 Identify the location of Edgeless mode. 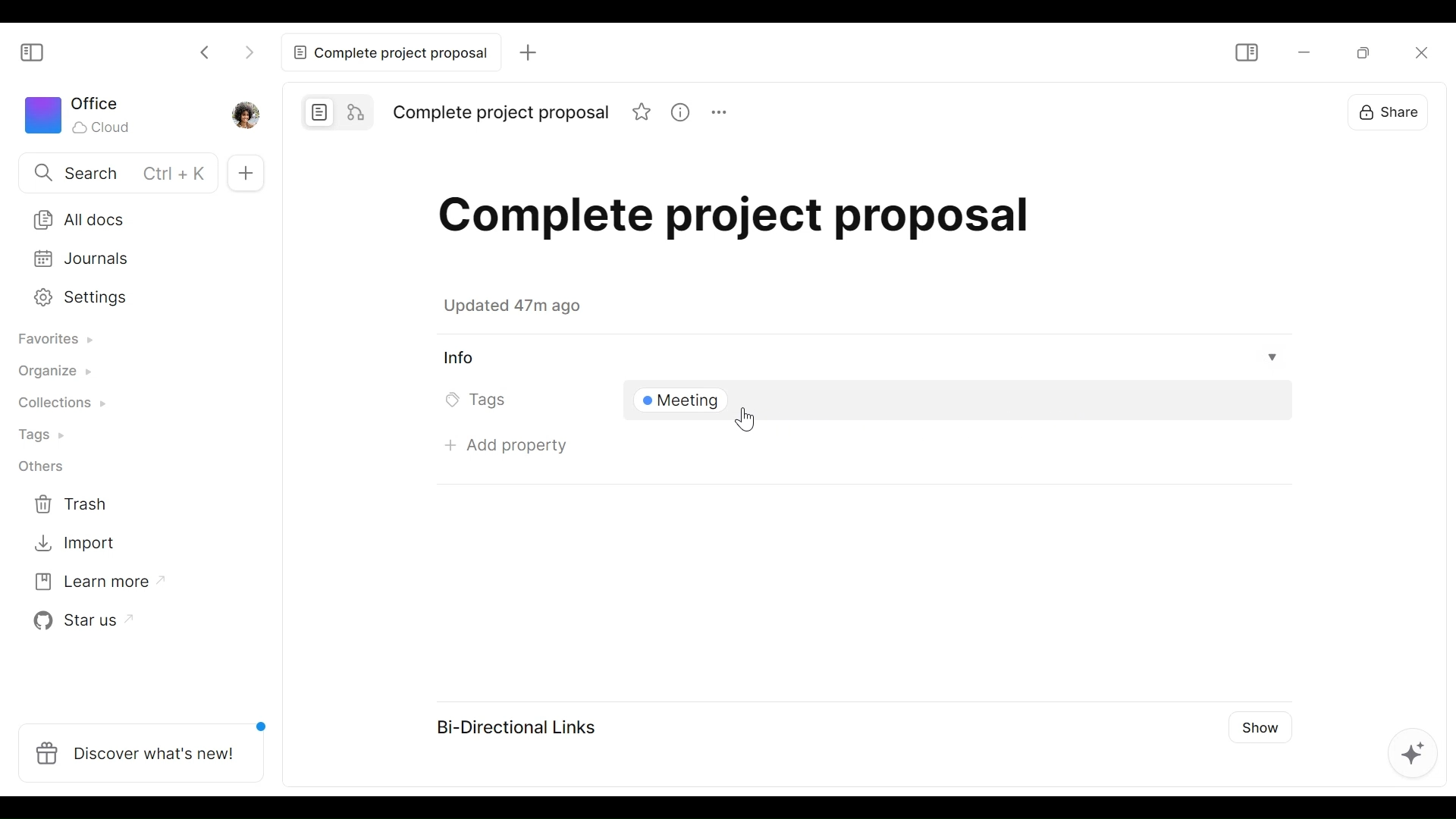
(356, 110).